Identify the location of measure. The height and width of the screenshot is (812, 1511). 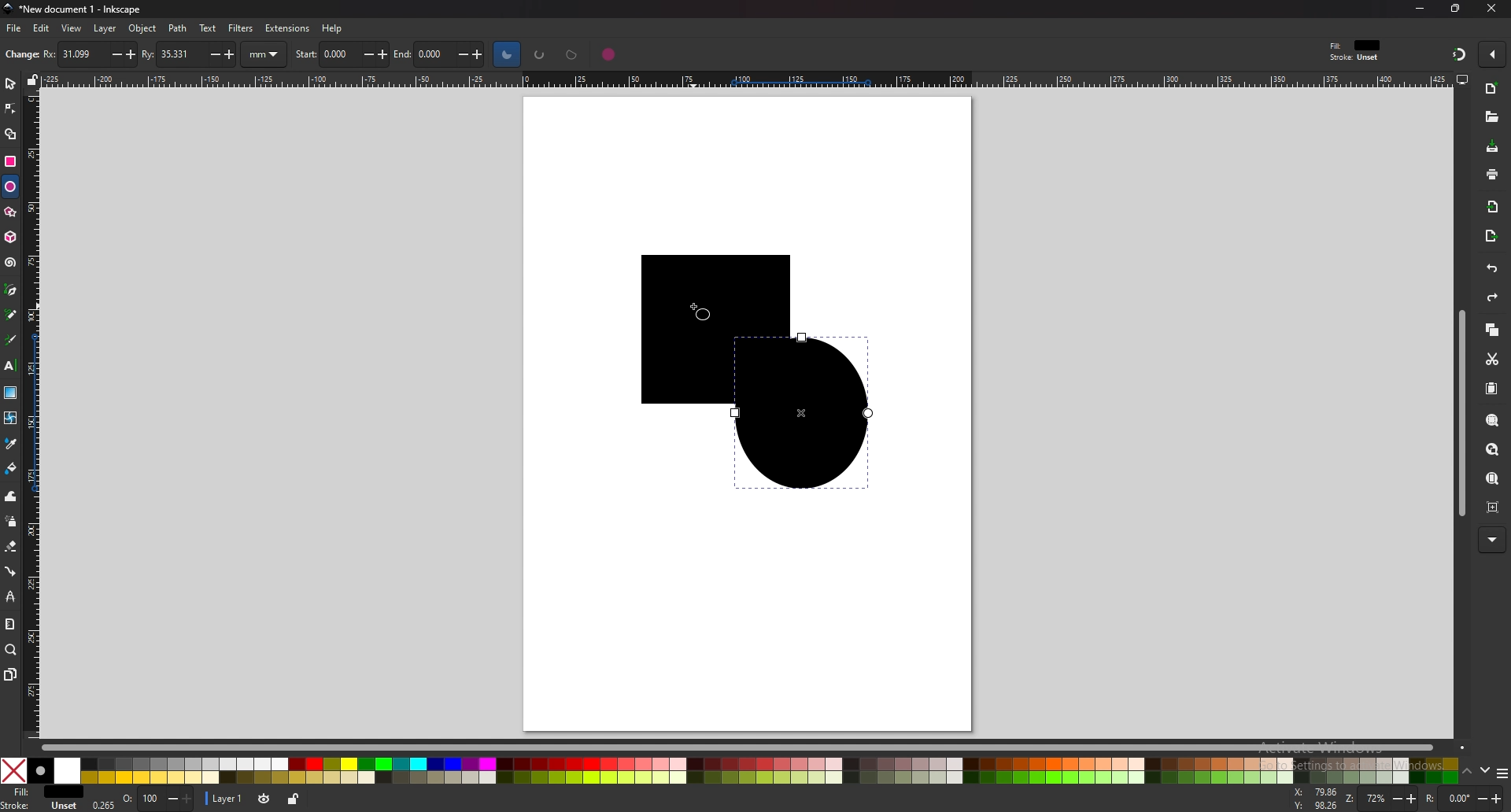
(11, 625).